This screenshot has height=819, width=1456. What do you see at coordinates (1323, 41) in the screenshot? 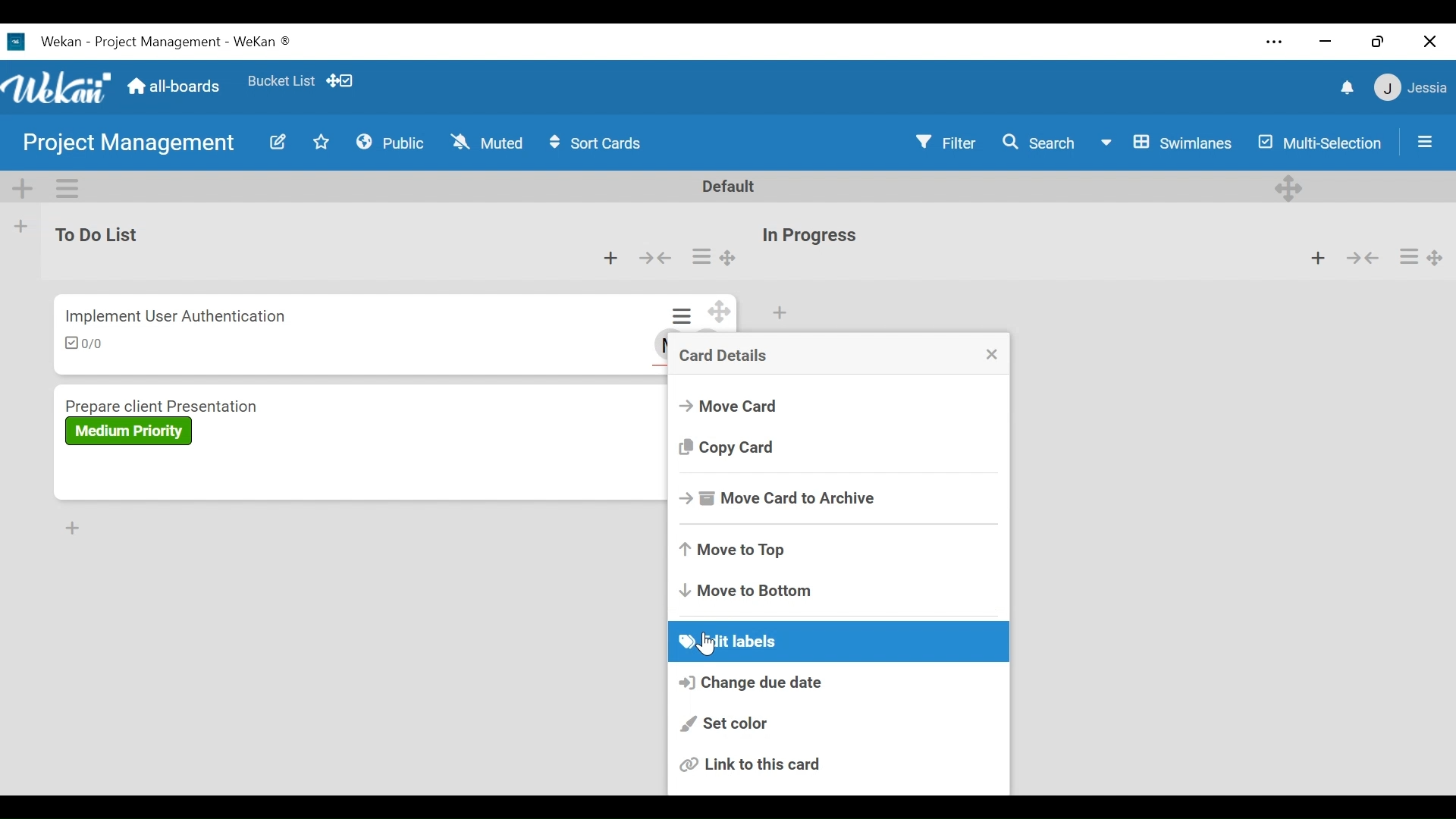
I see `minimize` at bounding box center [1323, 41].